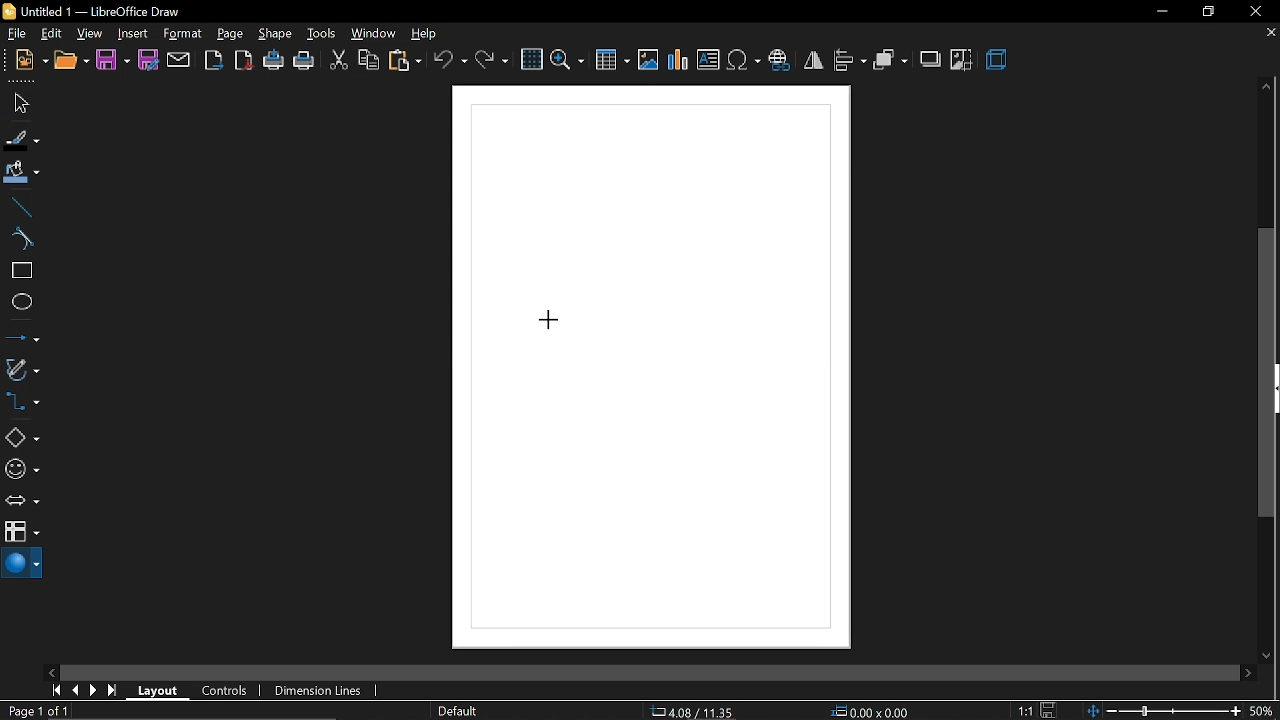  What do you see at coordinates (30, 60) in the screenshot?
I see `new` at bounding box center [30, 60].